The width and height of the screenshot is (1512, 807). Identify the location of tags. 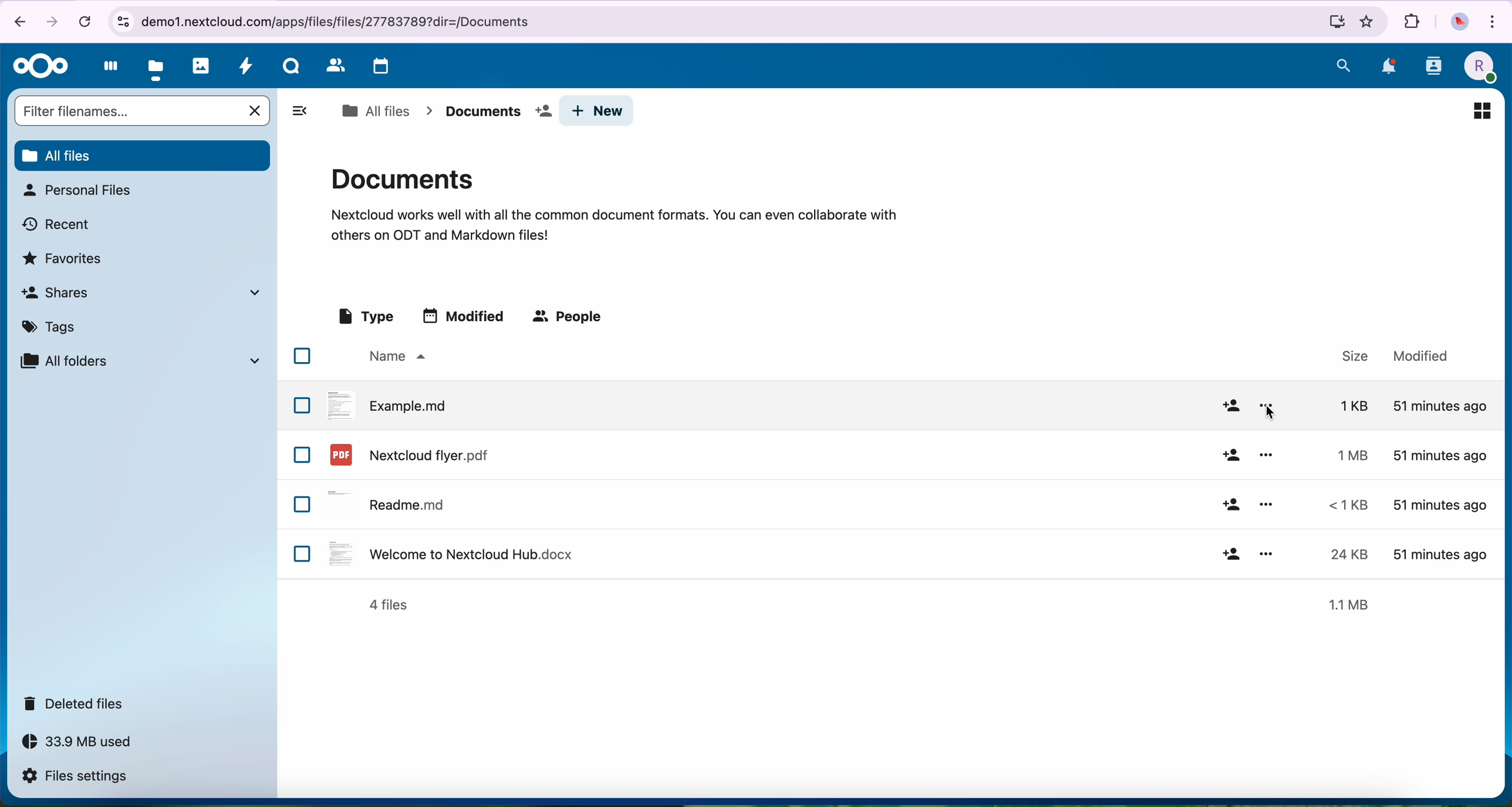
(53, 325).